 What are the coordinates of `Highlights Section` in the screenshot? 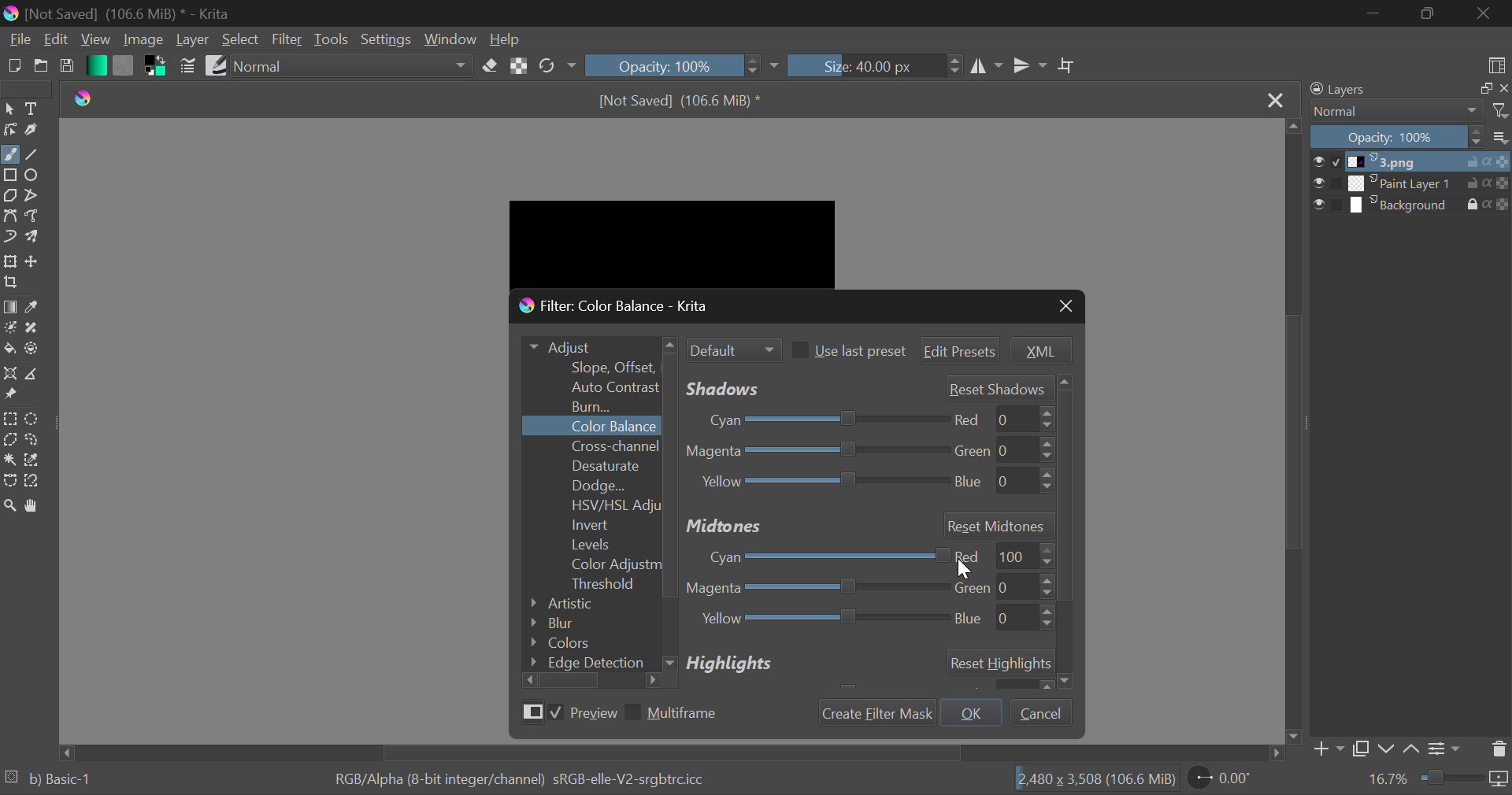 It's located at (864, 666).